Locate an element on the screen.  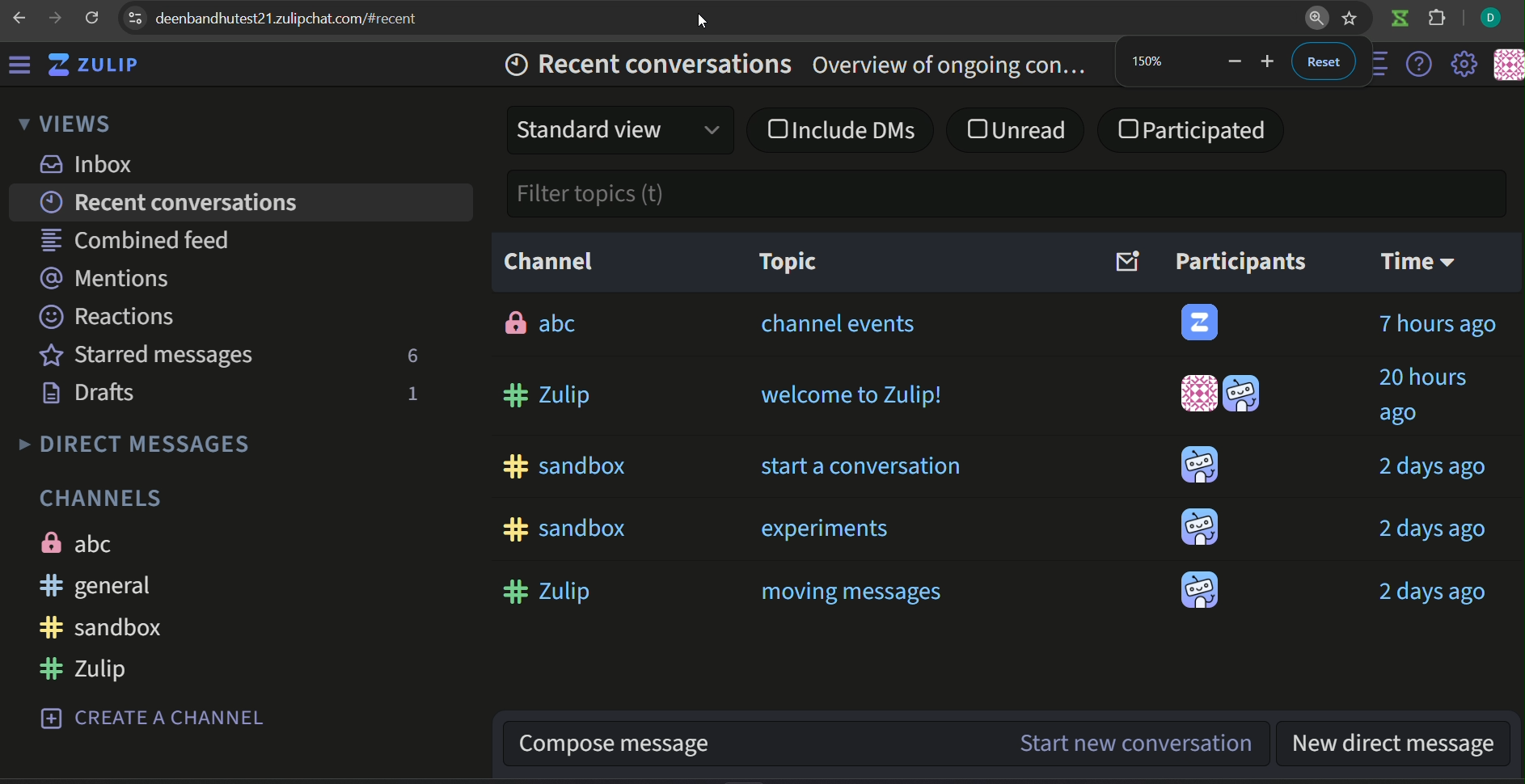
icon is located at coordinates (1200, 393).